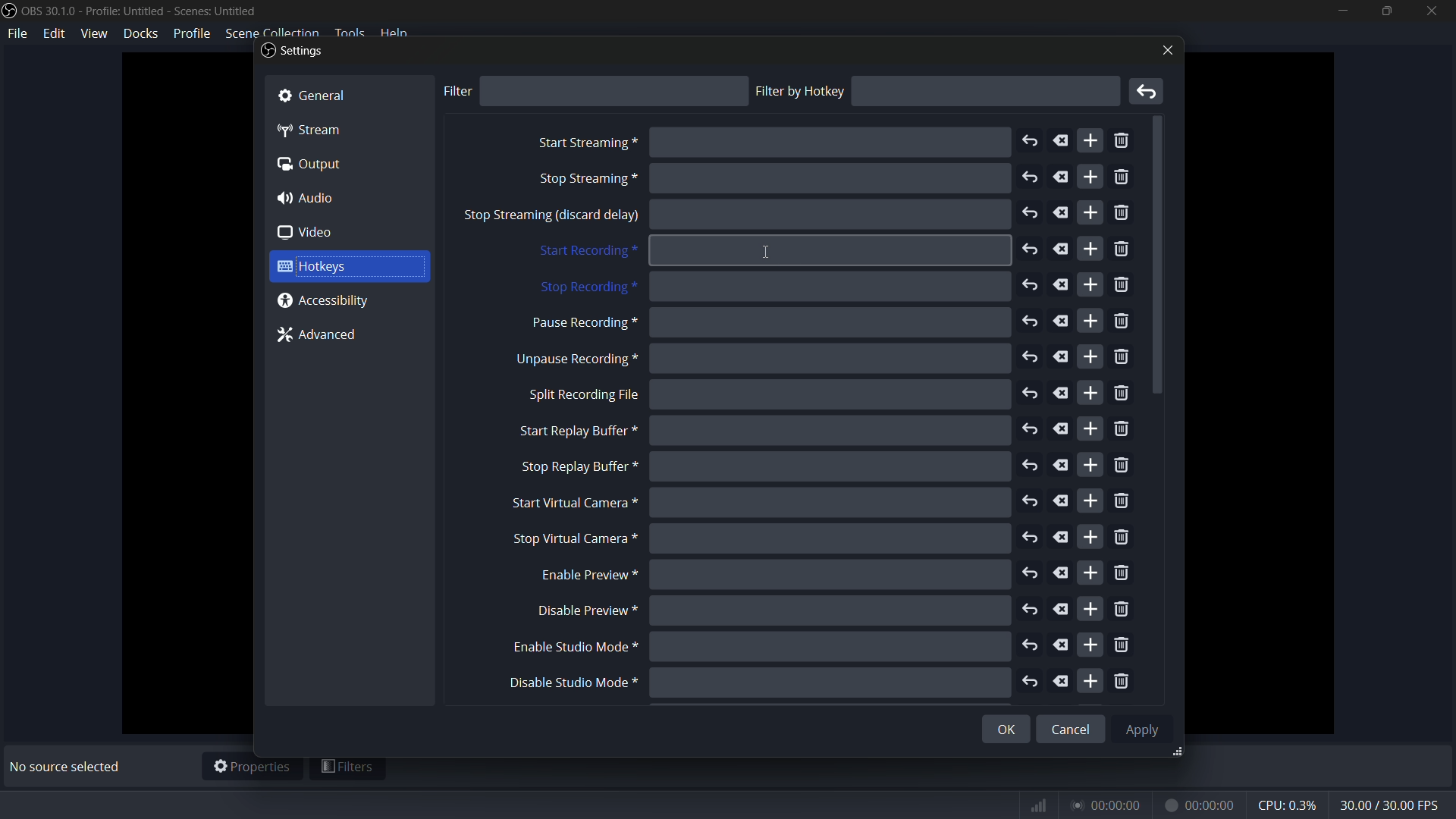 The image size is (1456, 819). I want to click on Settings, so click(292, 52).